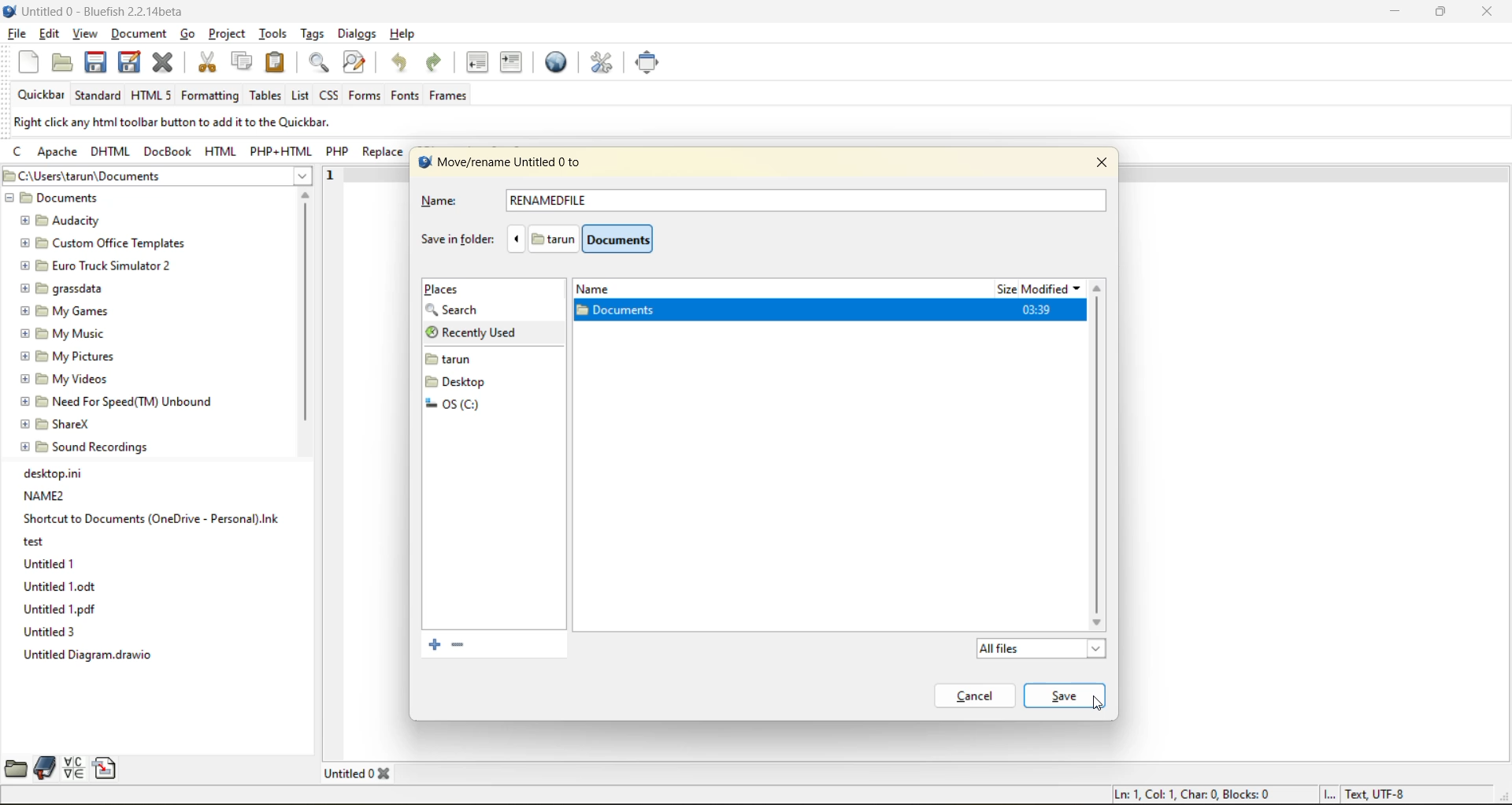 The image size is (1512, 805). Describe the element at coordinates (457, 239) in the screenshot. I see `save in folder` at that location.